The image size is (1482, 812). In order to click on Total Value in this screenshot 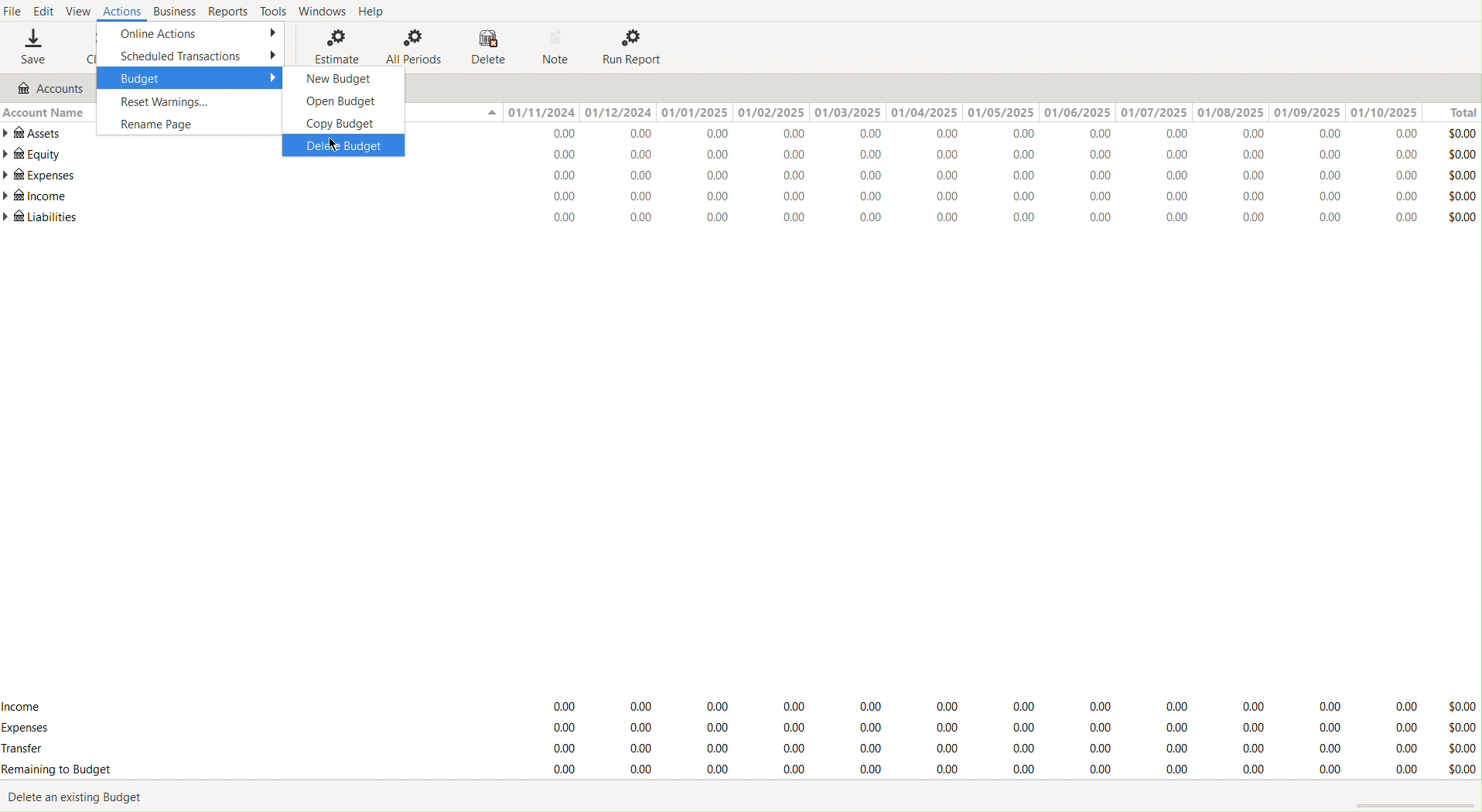, I will do `click(1460, 737)`.